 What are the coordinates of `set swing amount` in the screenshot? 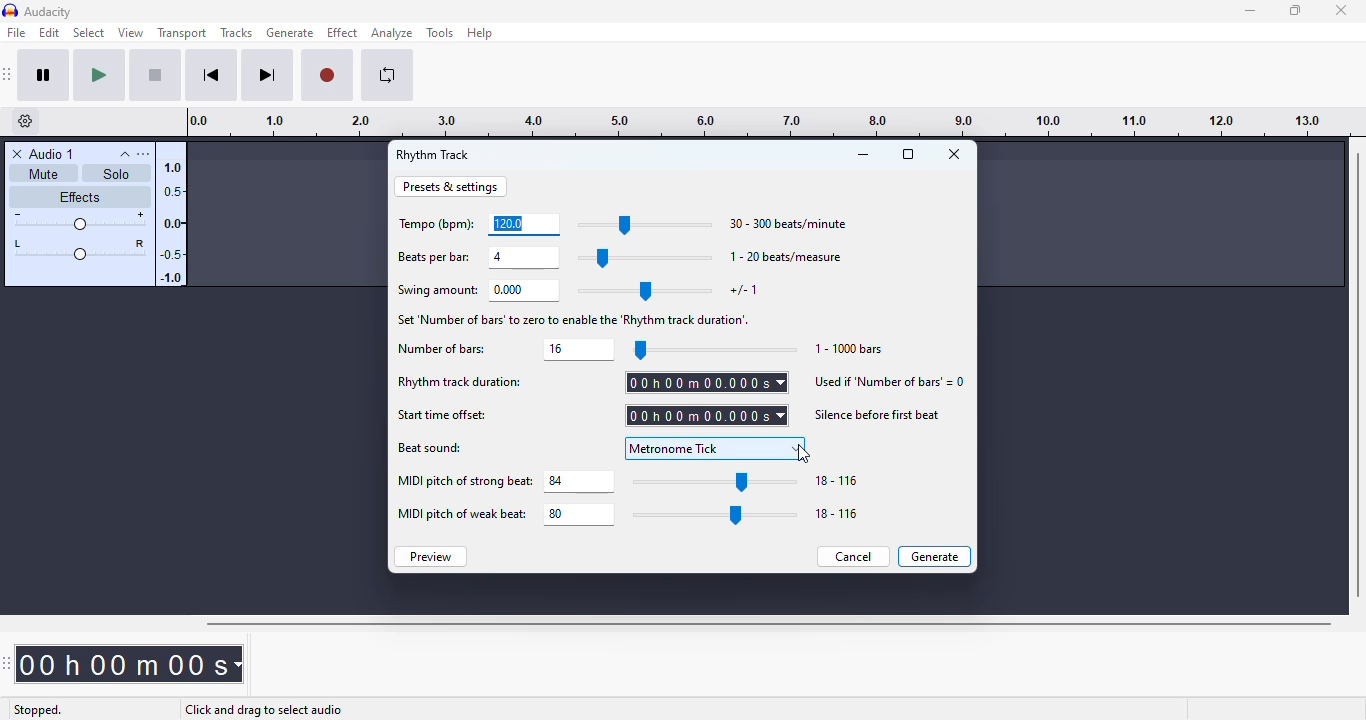 It's located at (527, 291).